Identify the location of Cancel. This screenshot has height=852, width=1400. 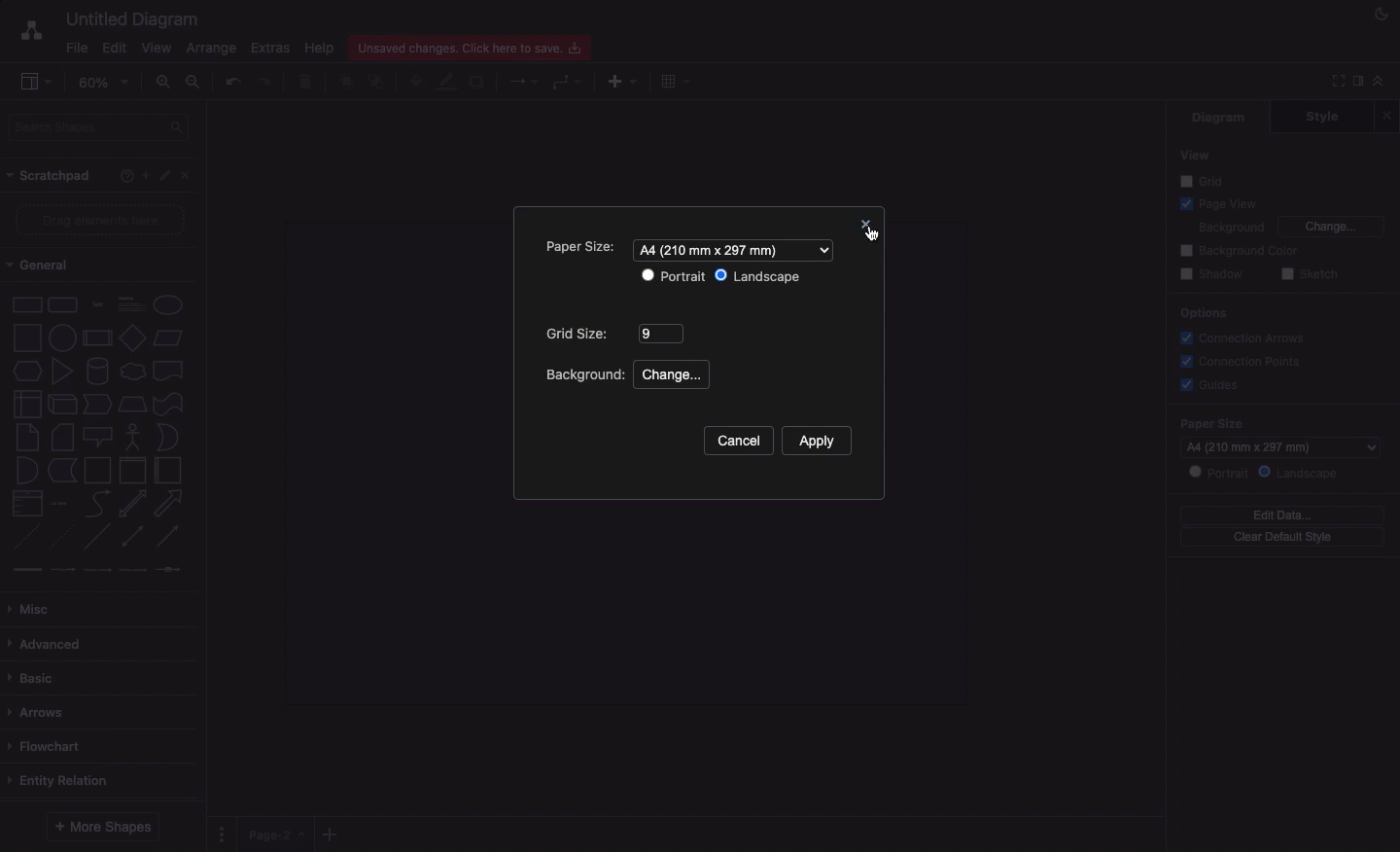
(741, 440).